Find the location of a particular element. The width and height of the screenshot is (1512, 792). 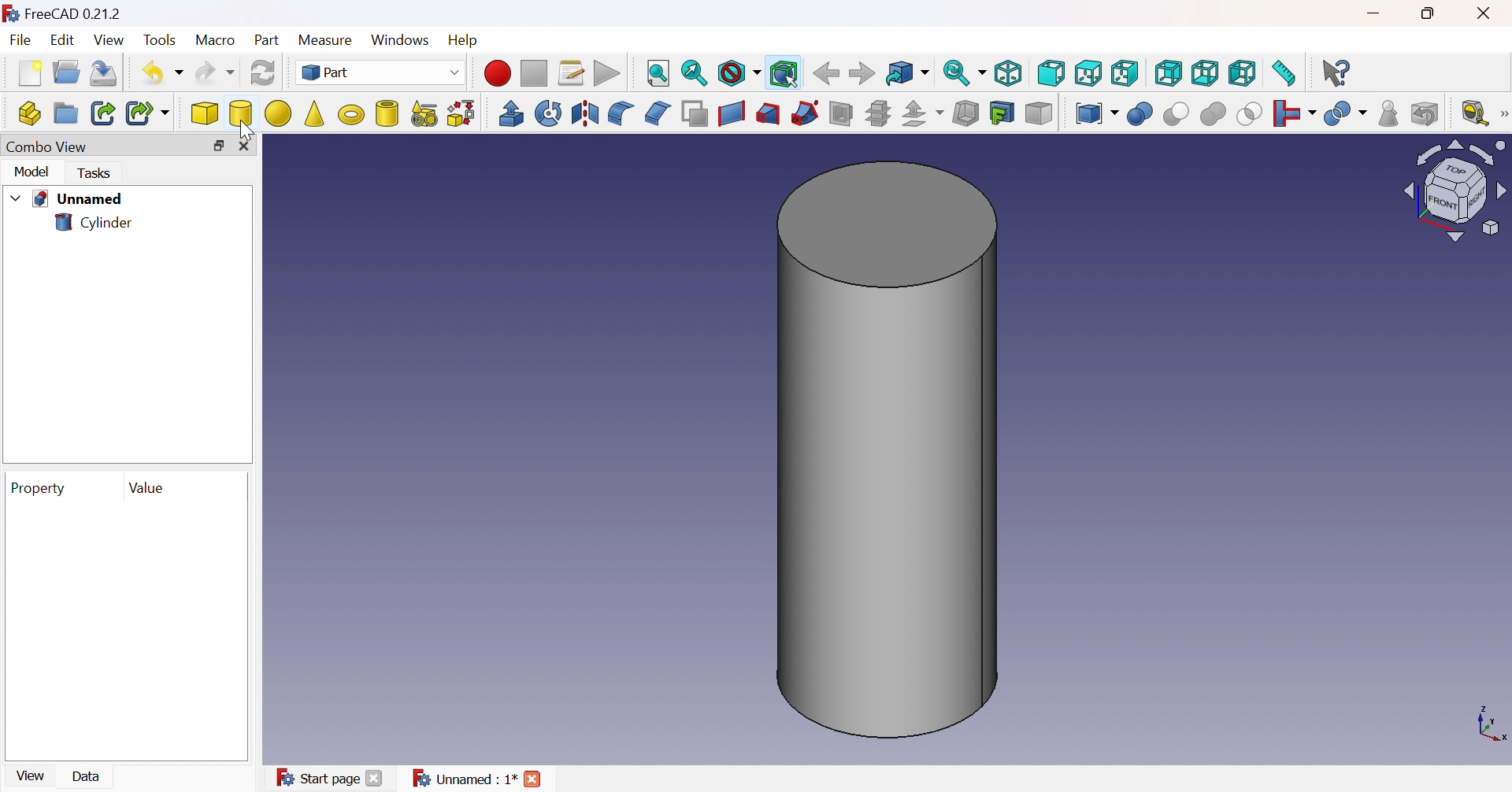

Chamfer is located at coordinates (656, 112).